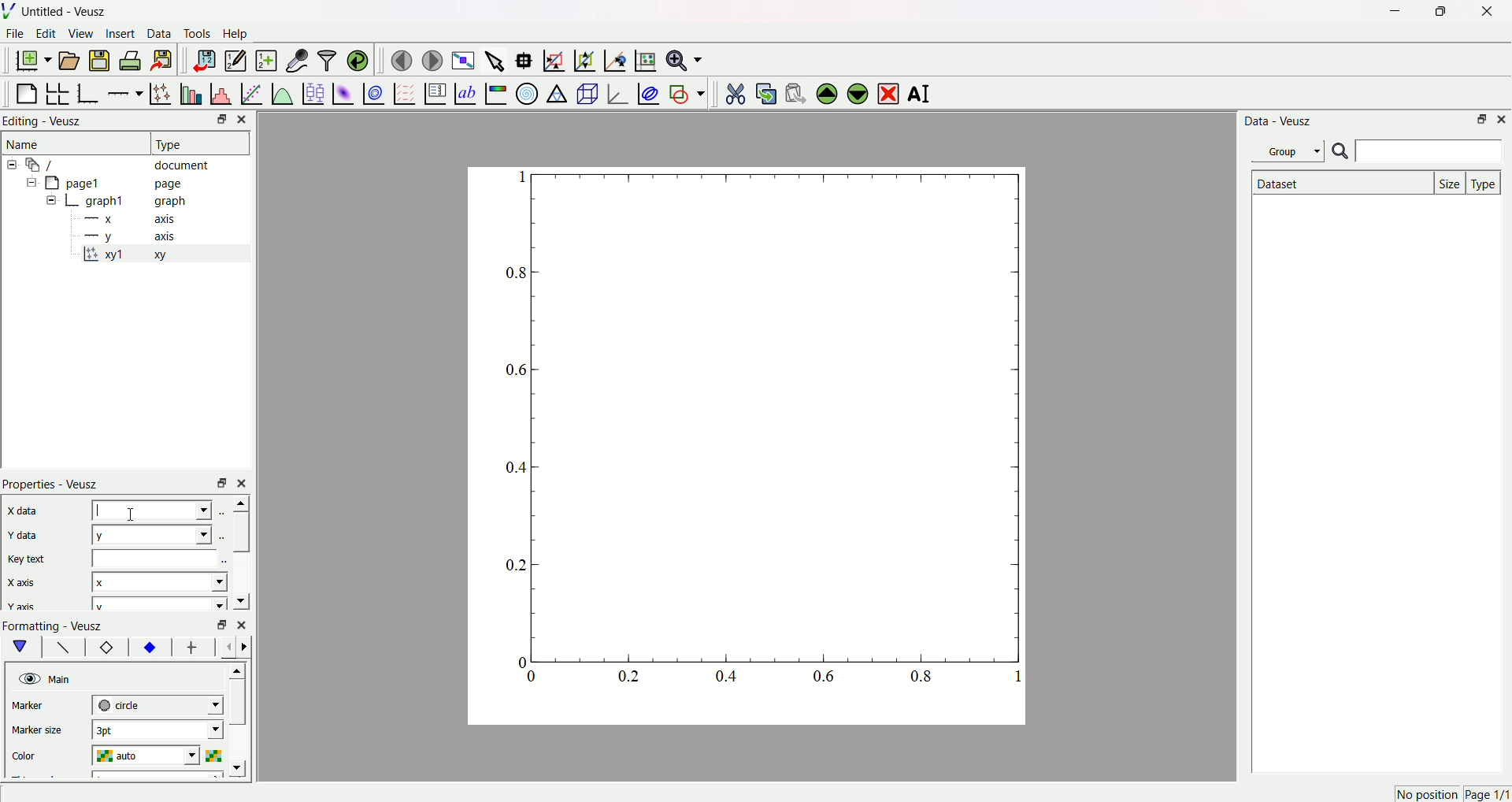  What do you see at coordinates (156, 704) in the screenshot?
I see `circle` at bounding box center [156, 704].